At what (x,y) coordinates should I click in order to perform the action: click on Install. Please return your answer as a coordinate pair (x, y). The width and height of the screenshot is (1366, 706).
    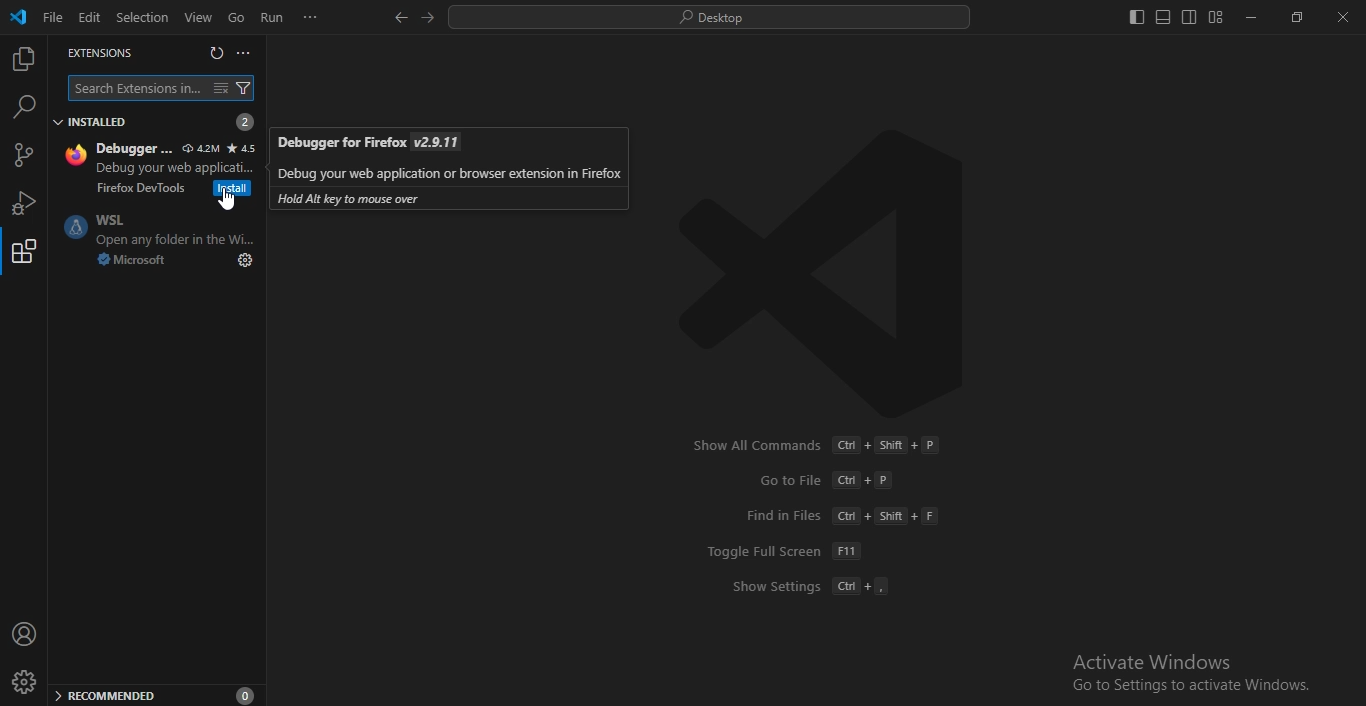
    Looking at the image, I should click on (230, 188).